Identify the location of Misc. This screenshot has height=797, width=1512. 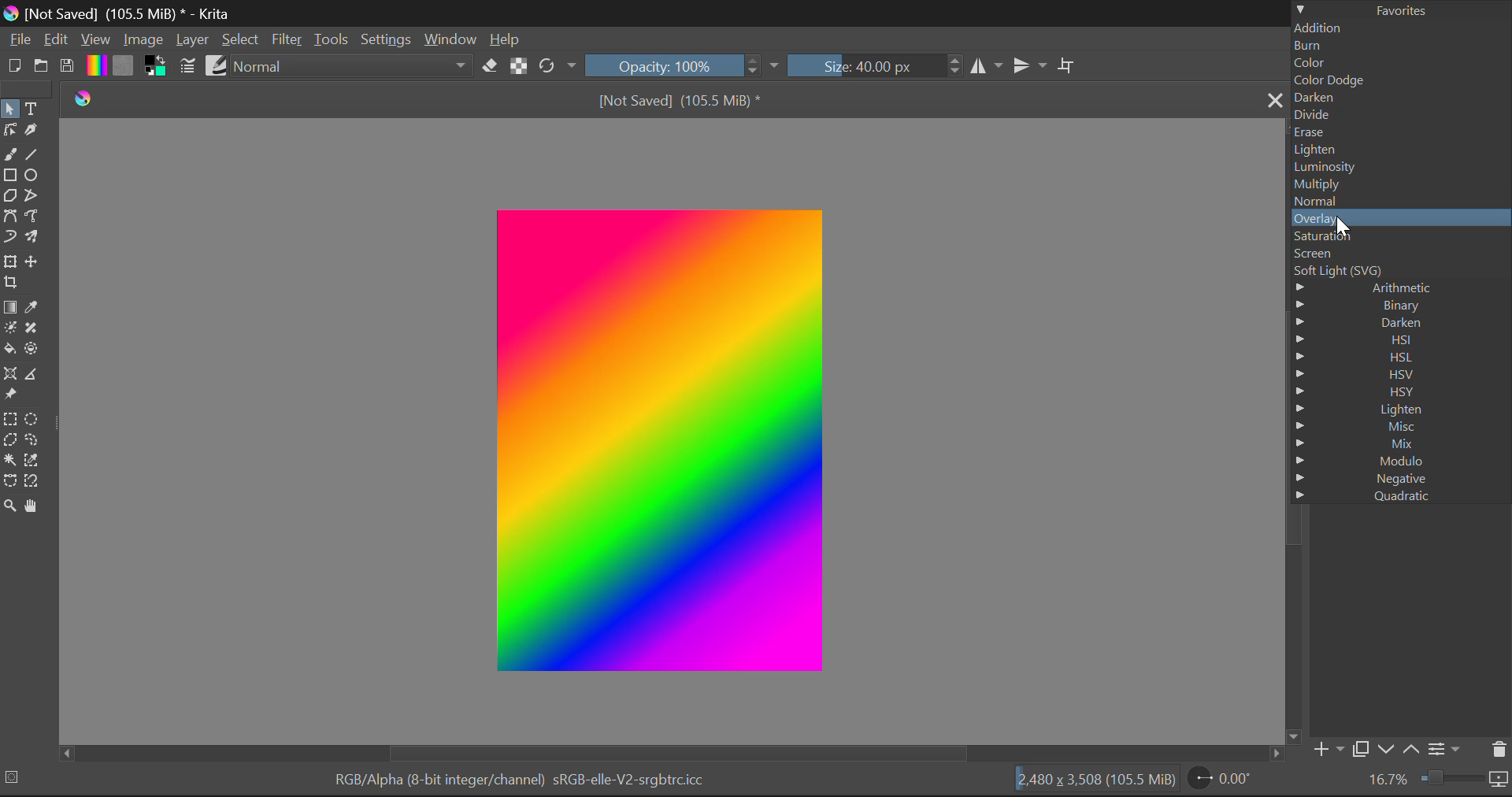
(1400, 427).